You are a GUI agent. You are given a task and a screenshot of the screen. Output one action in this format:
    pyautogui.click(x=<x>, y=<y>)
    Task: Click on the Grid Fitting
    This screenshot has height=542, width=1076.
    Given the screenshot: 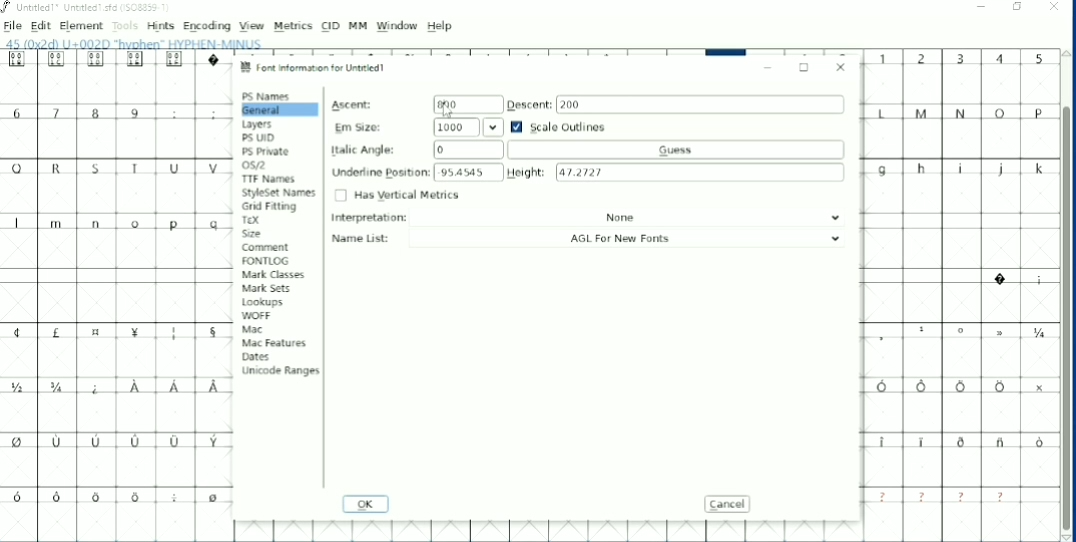 What is the action you would take?
    pyautogui.click(x=271, y=207)
    